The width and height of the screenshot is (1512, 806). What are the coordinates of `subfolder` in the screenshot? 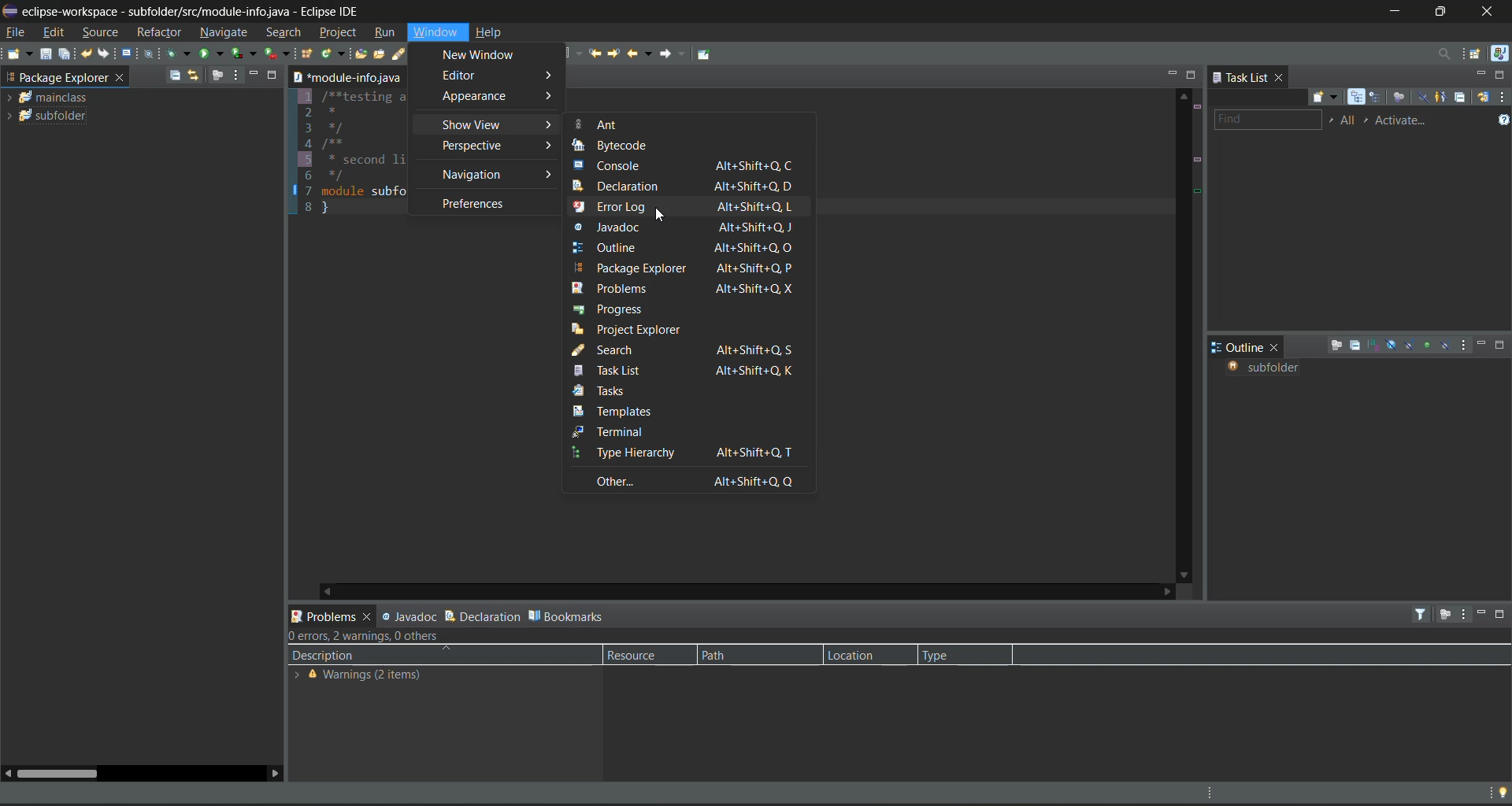 It's located at (57, 115).